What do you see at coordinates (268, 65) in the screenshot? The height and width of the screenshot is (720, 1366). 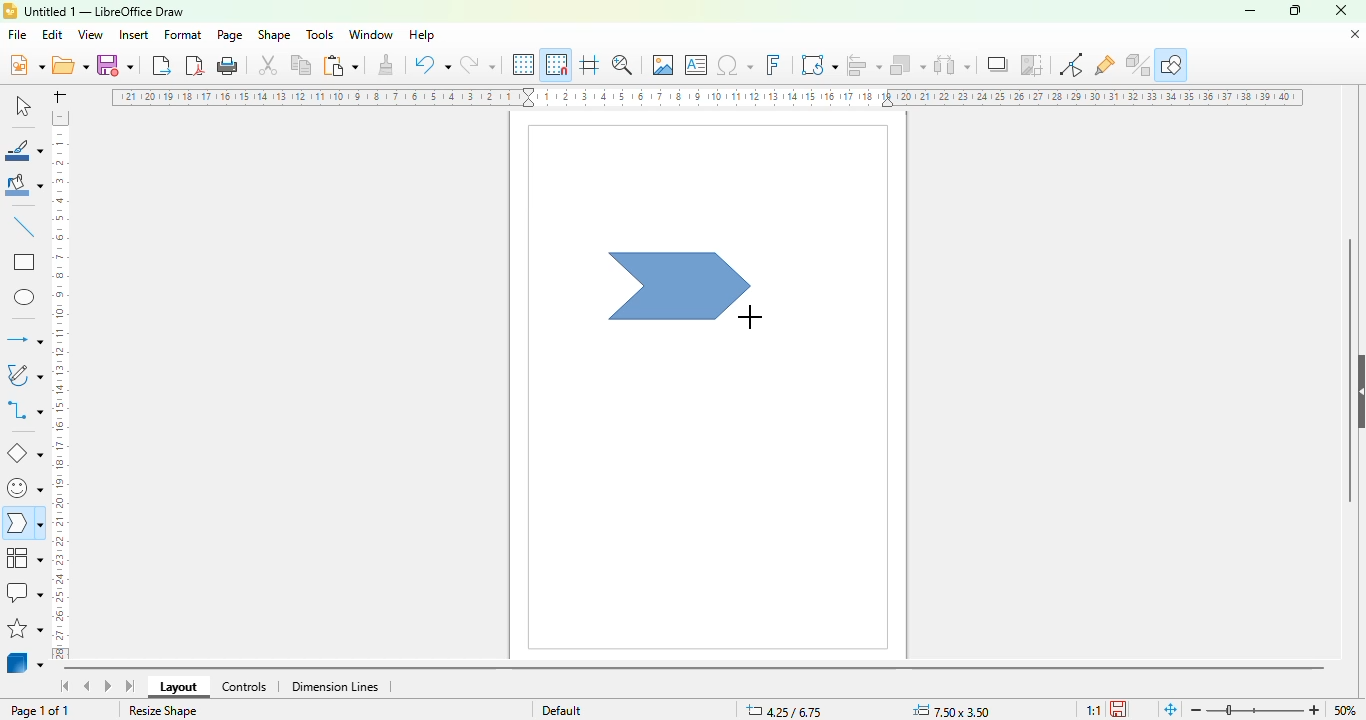 I see `cut` at bounding box center [268, 65].